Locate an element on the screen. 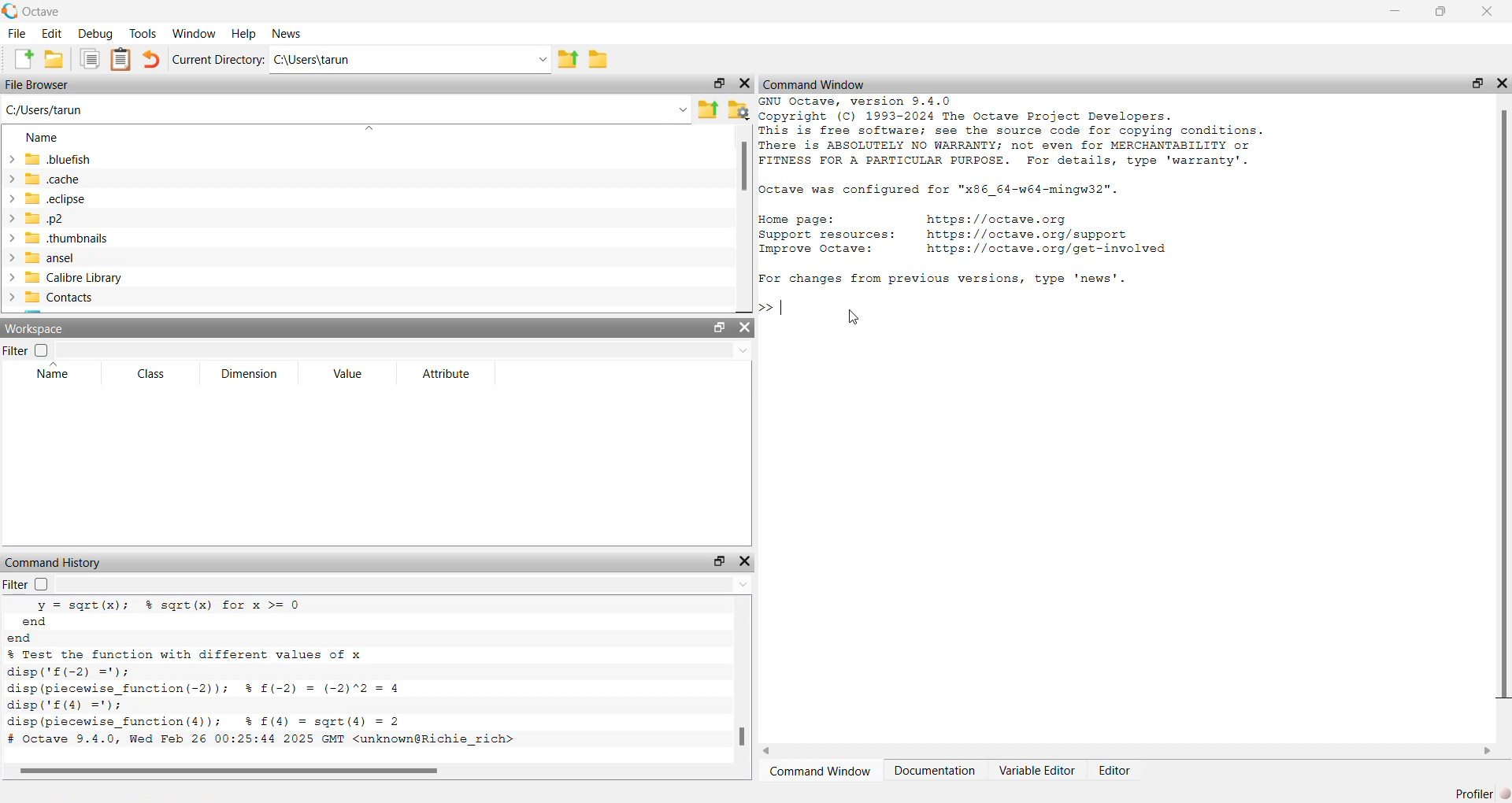  Close is located at coordinates (1501, 79).